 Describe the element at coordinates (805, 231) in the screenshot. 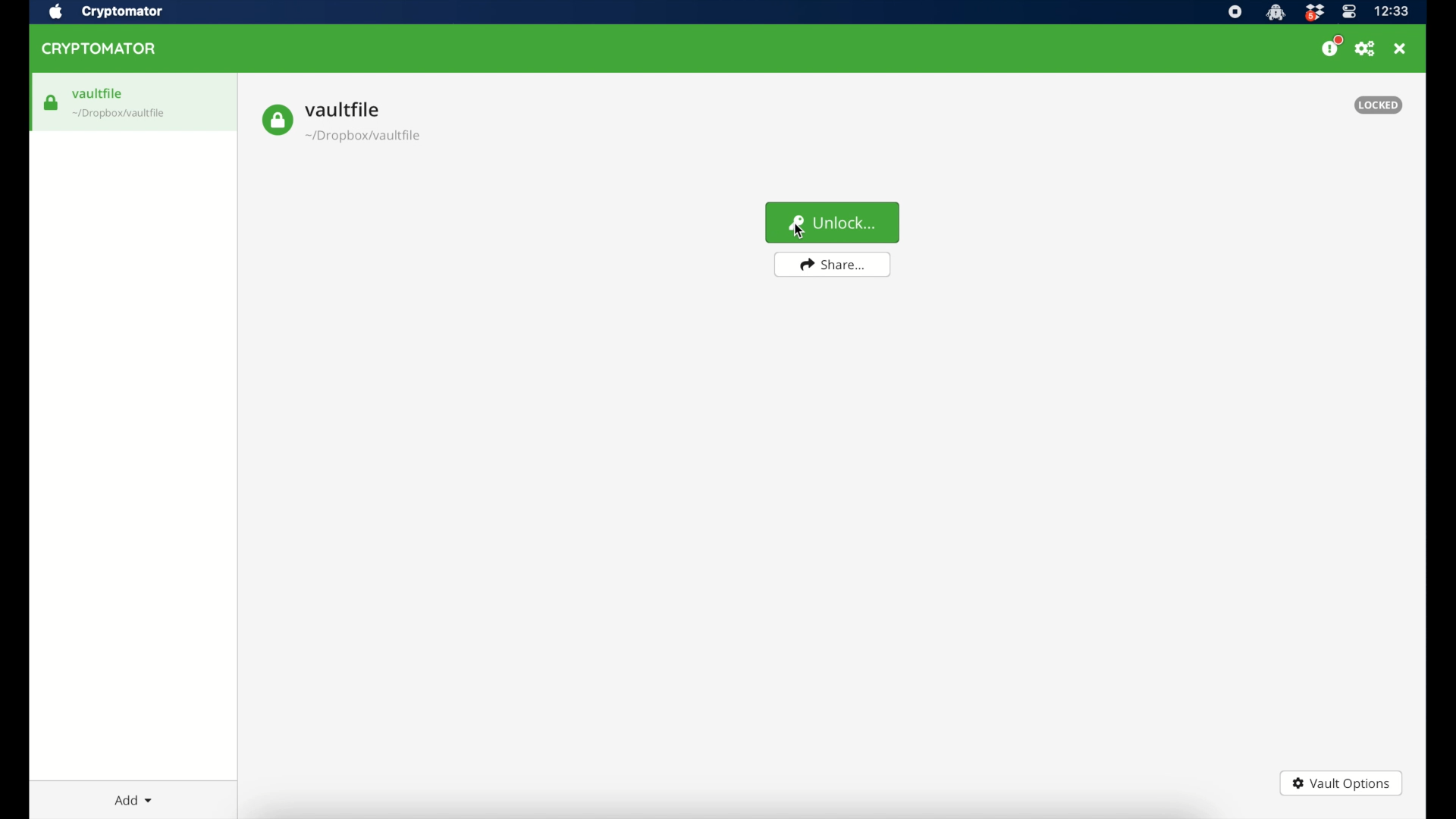

I see `cursor` at that location.